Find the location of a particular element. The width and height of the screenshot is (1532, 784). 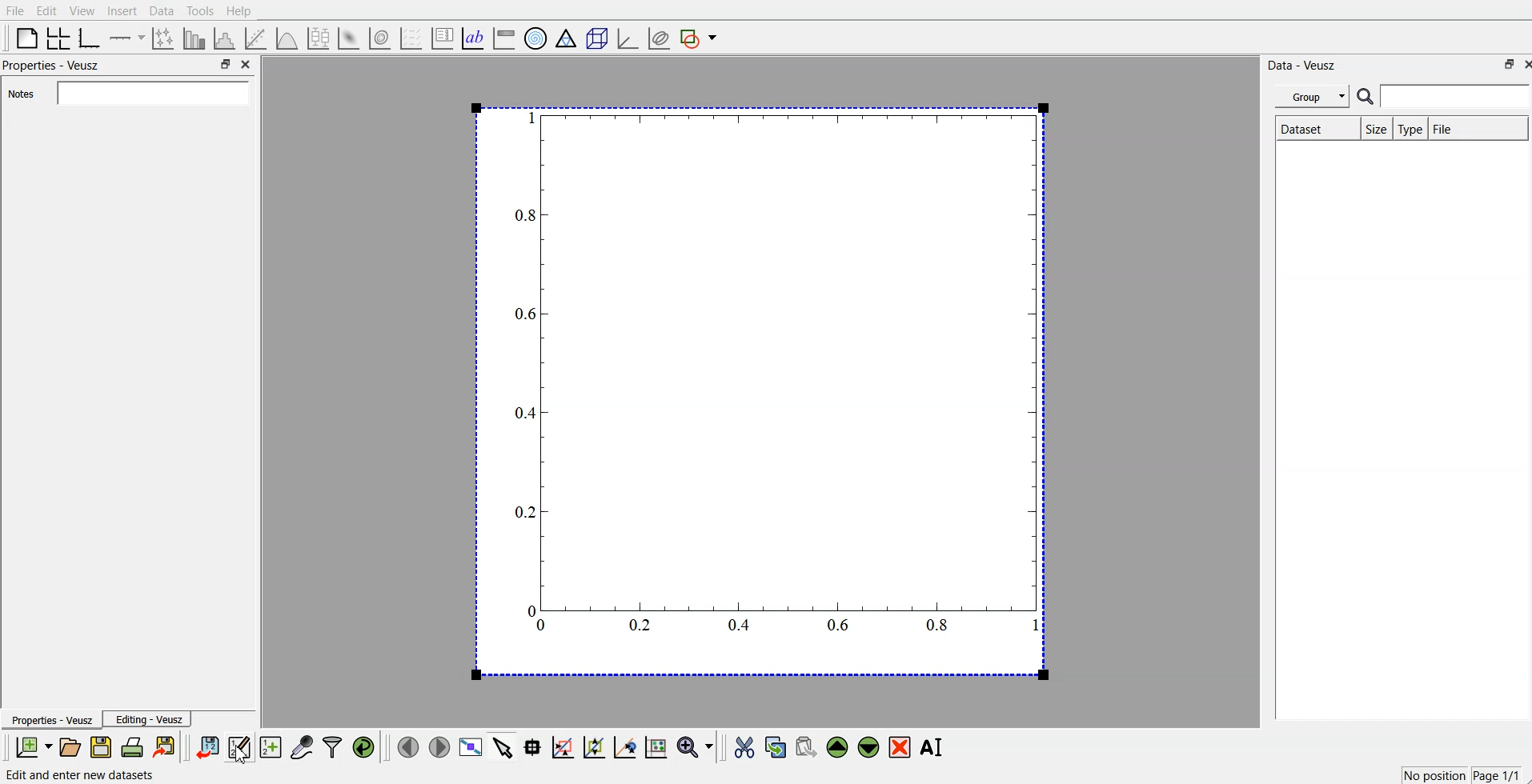

histogram is located at coordinates (226, 37).